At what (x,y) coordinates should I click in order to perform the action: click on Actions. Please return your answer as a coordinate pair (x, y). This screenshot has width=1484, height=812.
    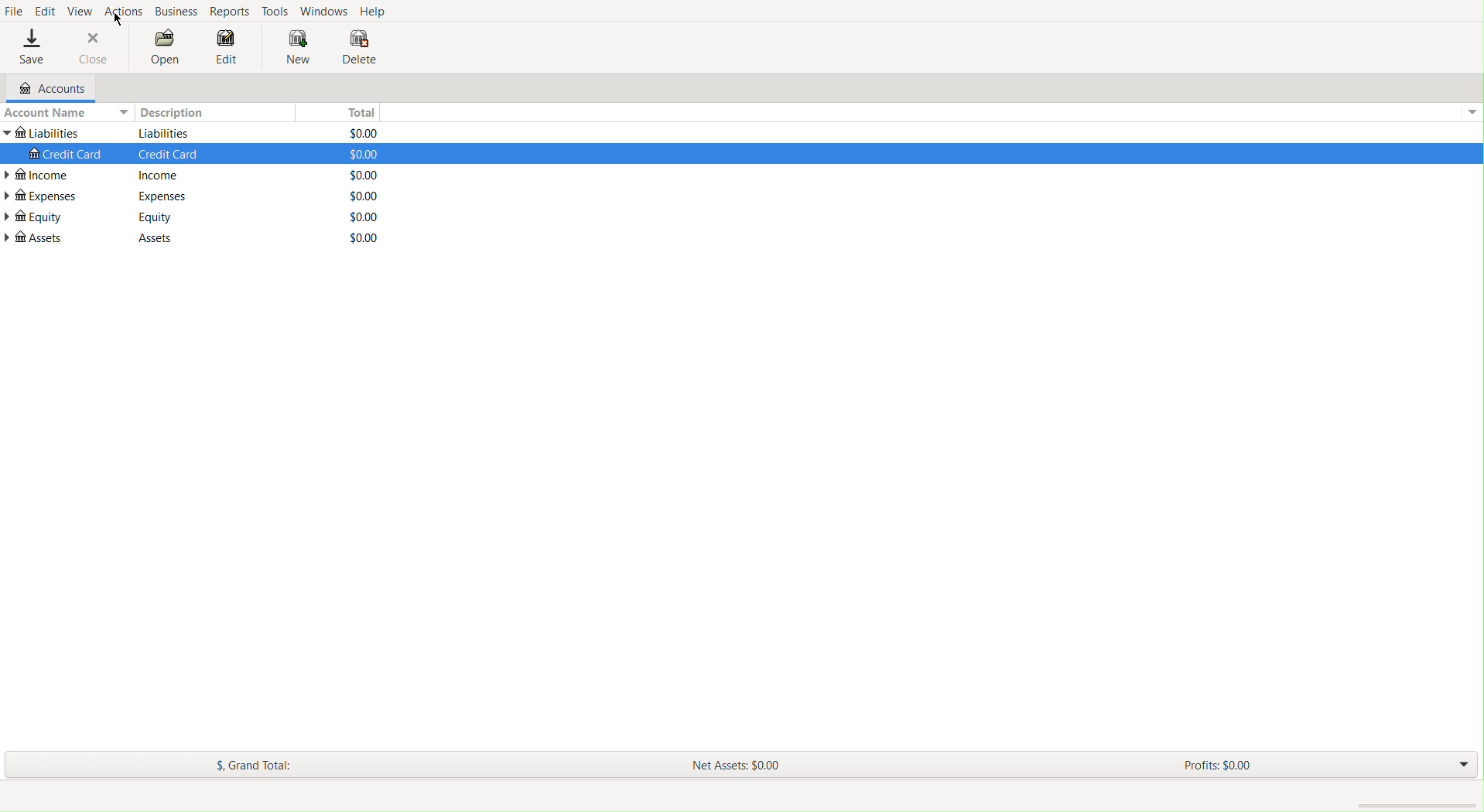
    Looking at the image, I should click on (122, 12).